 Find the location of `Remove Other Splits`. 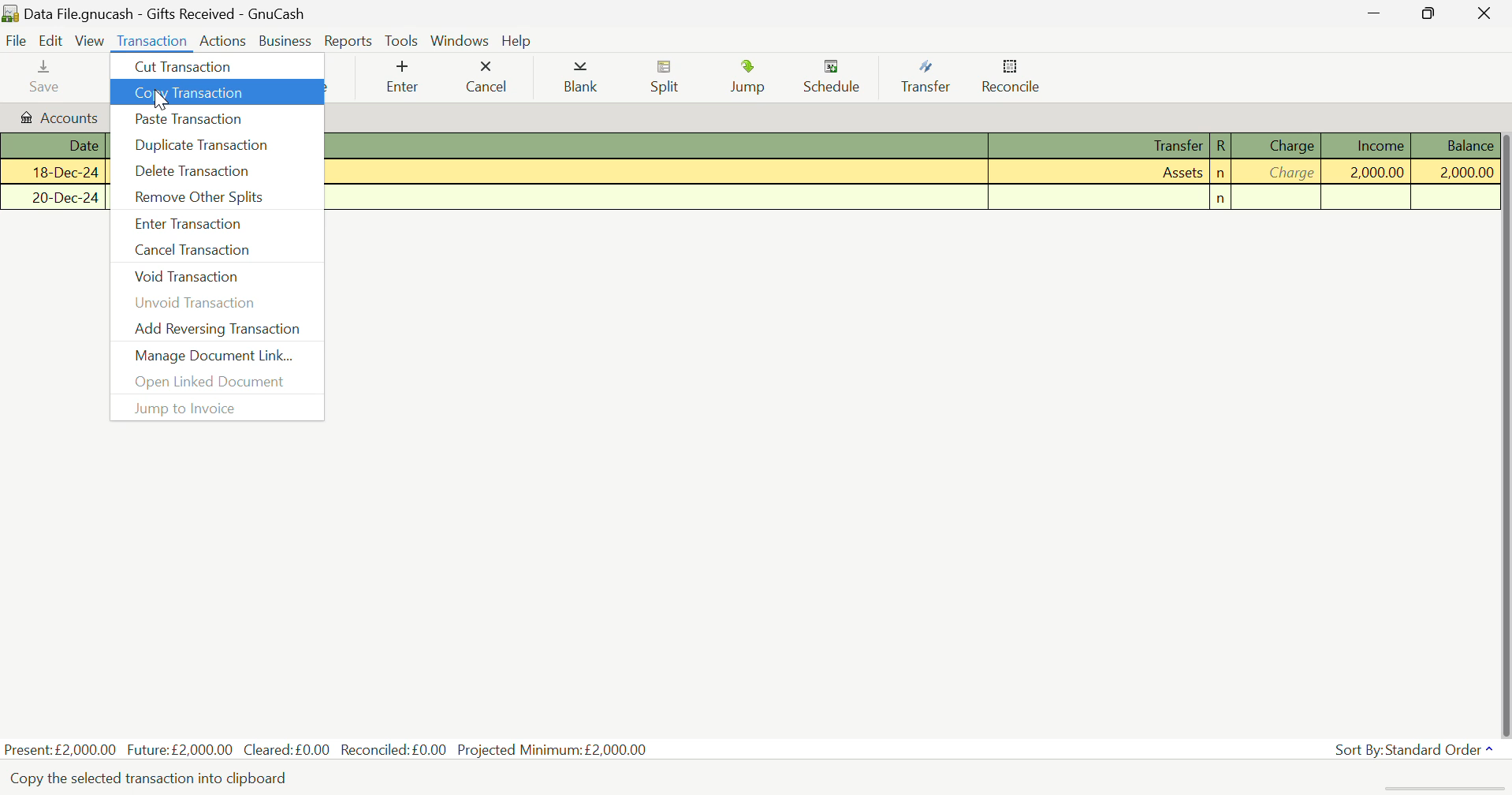

Remove Other Splits is located at coordinates (215, 200).